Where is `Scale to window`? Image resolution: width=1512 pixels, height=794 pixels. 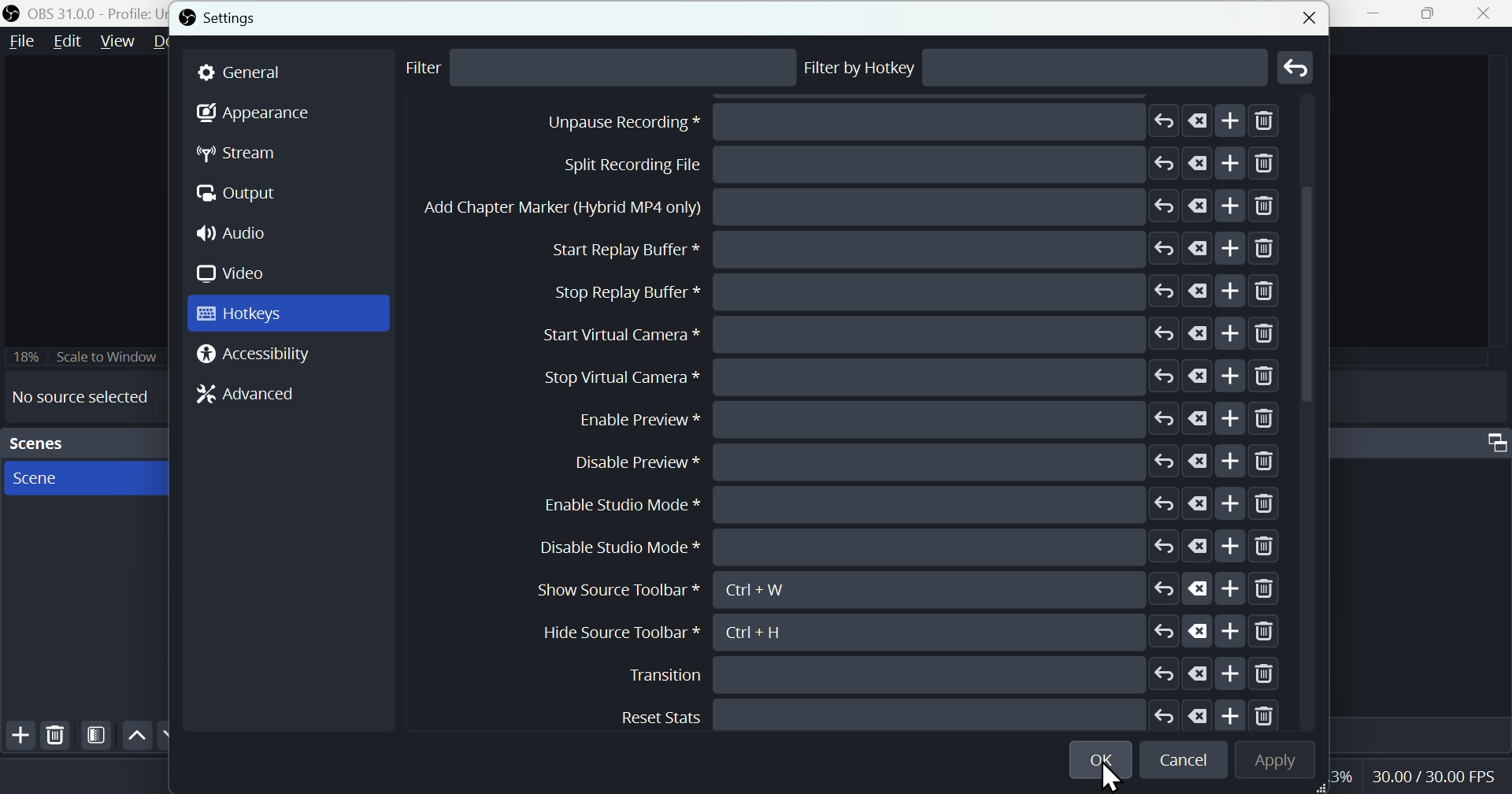
Scale to window is located at coordinates (84, 356).